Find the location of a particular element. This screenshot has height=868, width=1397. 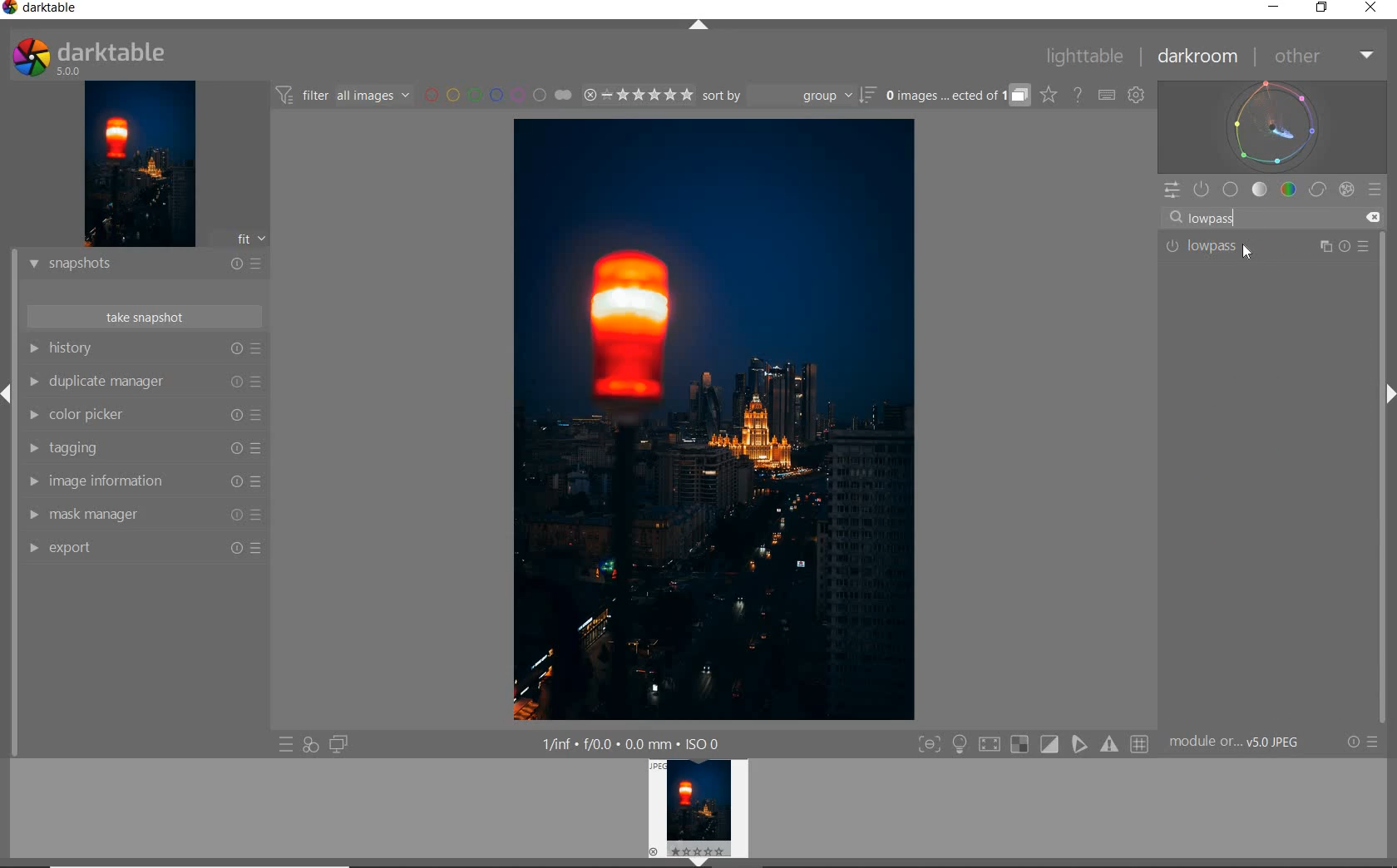

SHOW ONLY ACTIVE MODULES is located at coordinates (1202, 189).